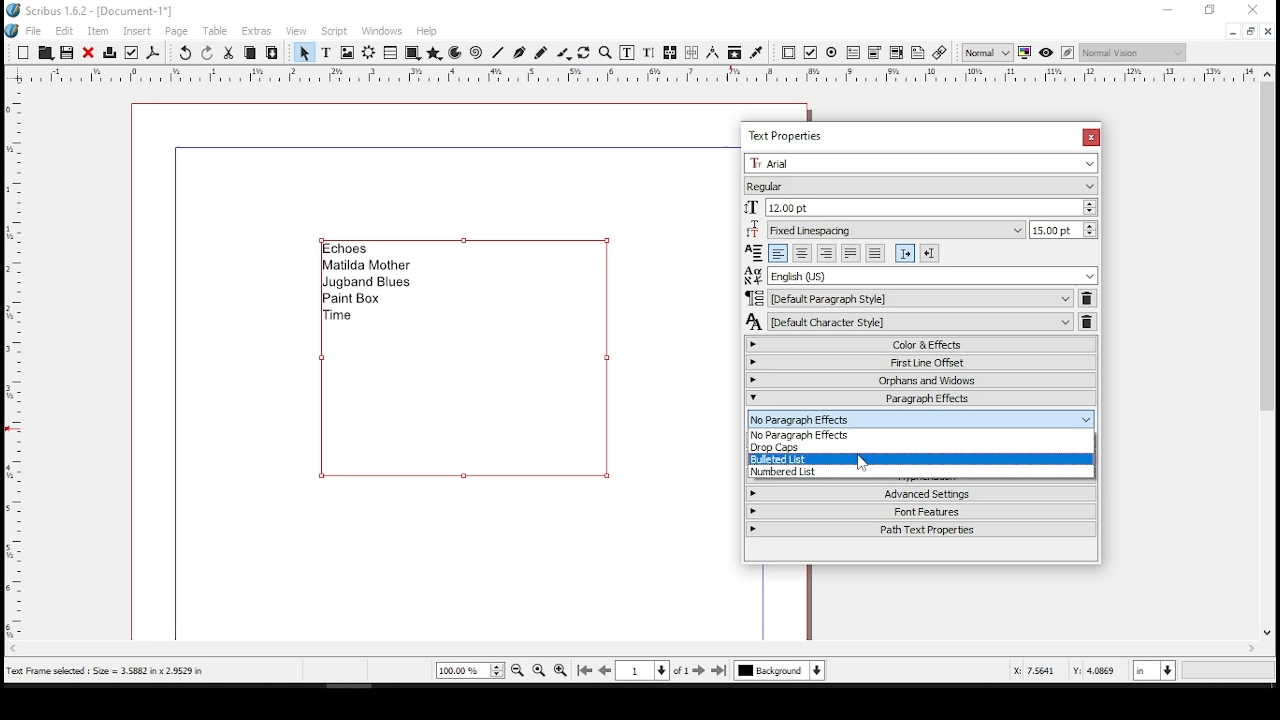  I want to click on echoes, so click(349, 248).